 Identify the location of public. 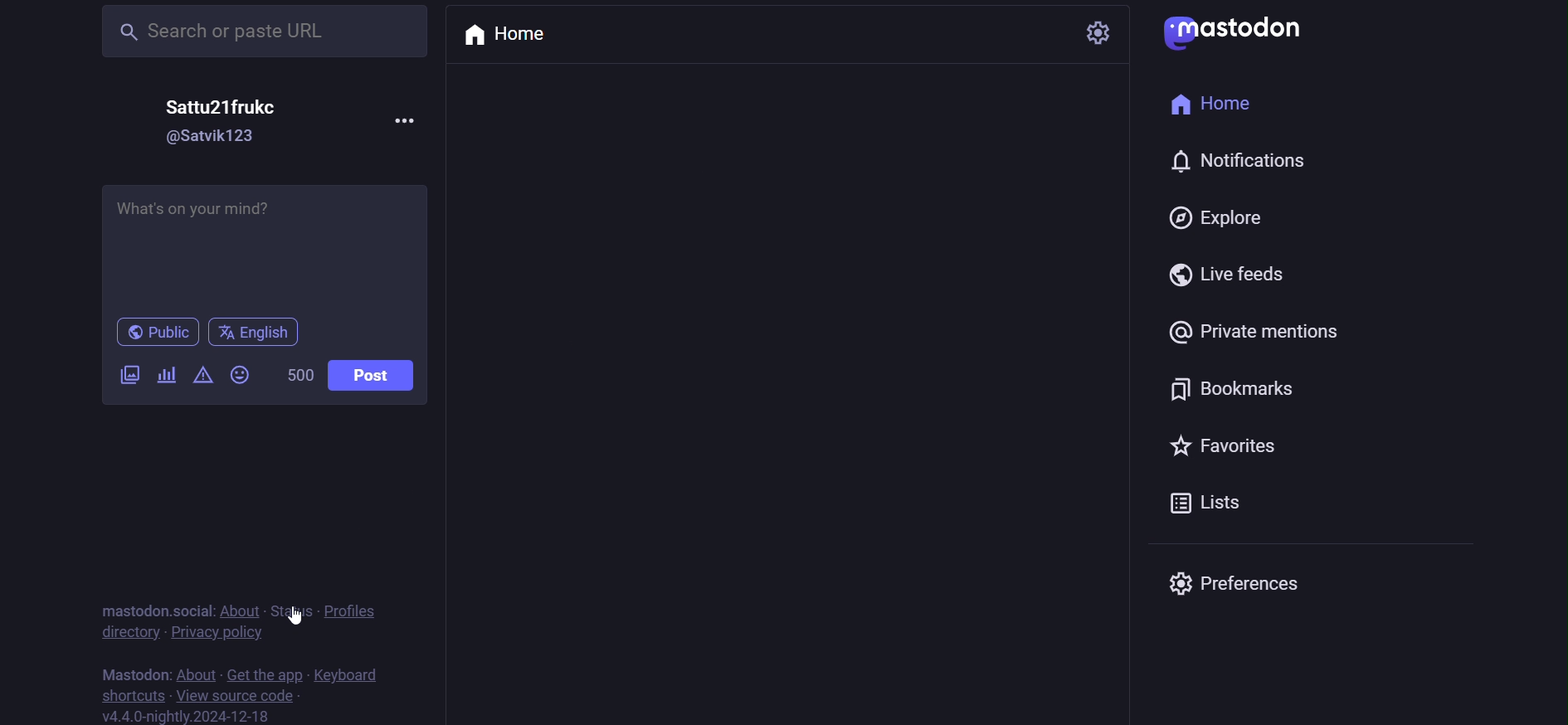
(157, 334).